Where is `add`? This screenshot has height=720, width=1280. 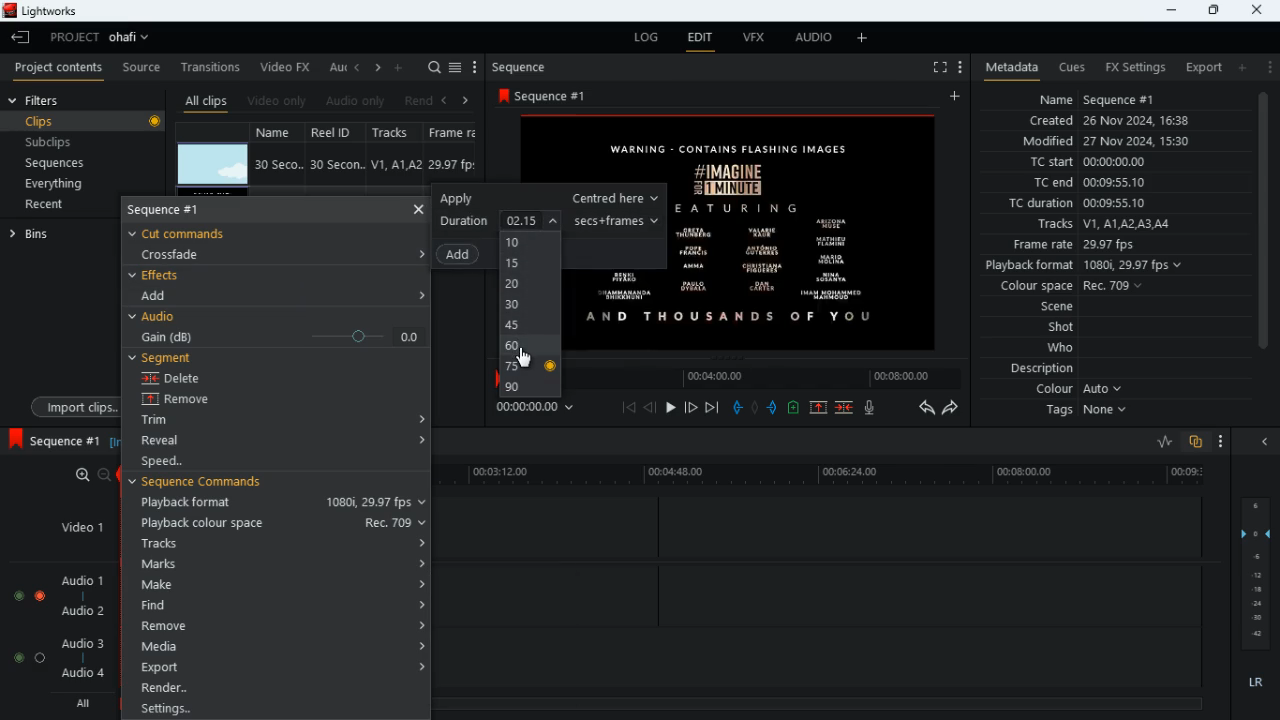 add is located at coordinates (463, 255).